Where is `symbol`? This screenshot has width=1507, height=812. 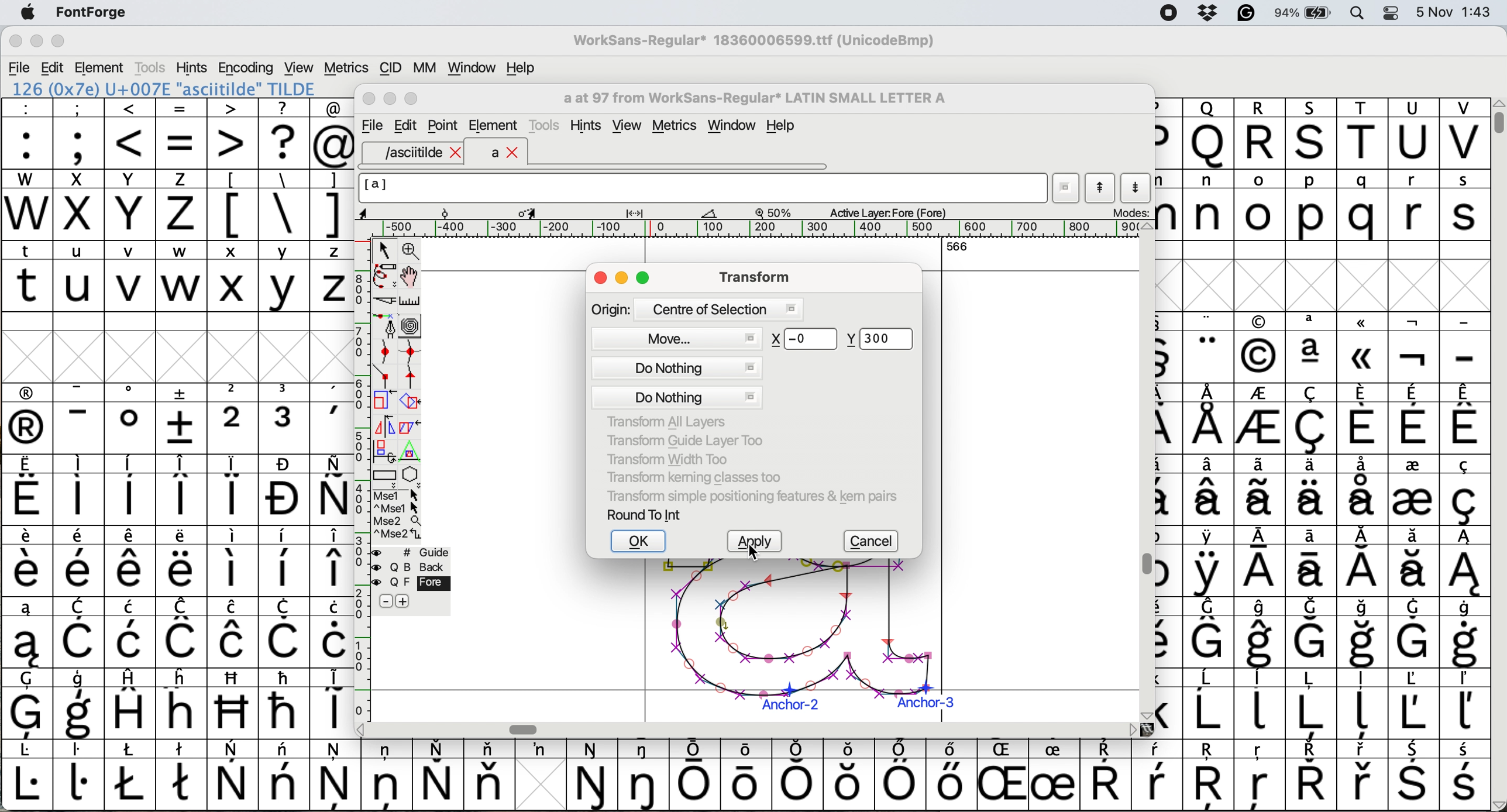
symbol is located at coordinates (234, 490).